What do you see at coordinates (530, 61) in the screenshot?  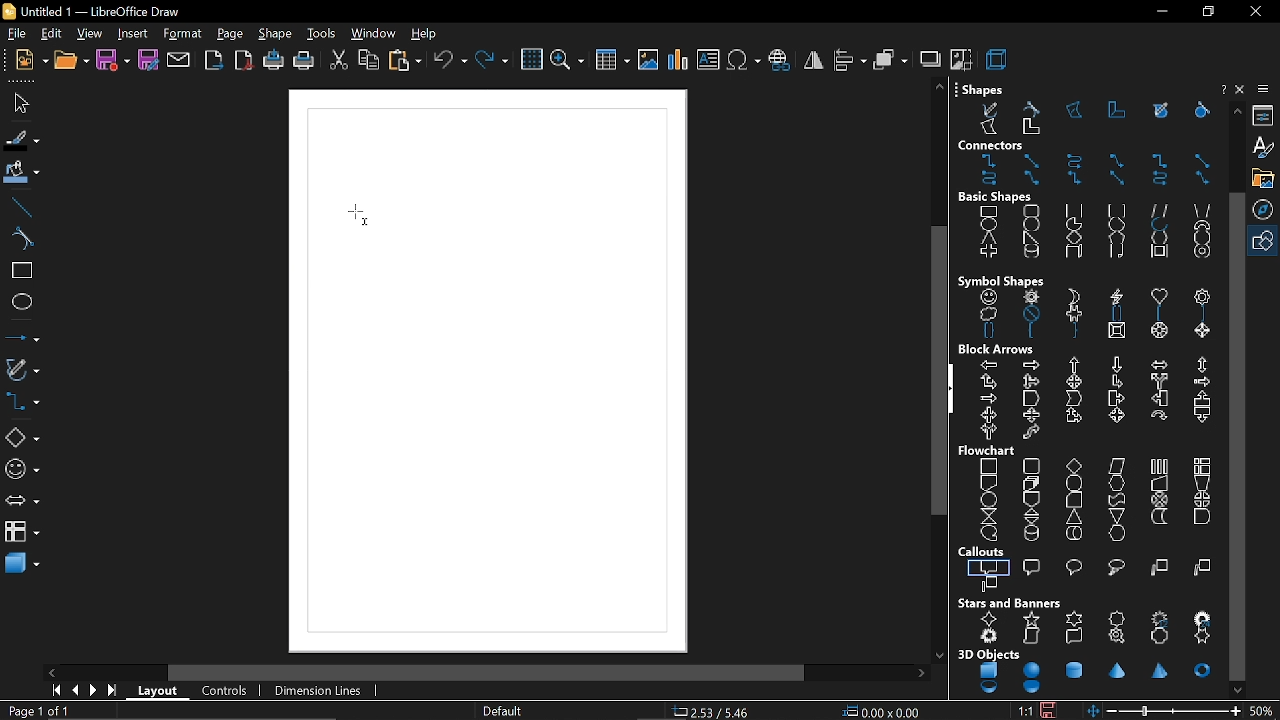 I see `grid` at bounding box center [530, 61].